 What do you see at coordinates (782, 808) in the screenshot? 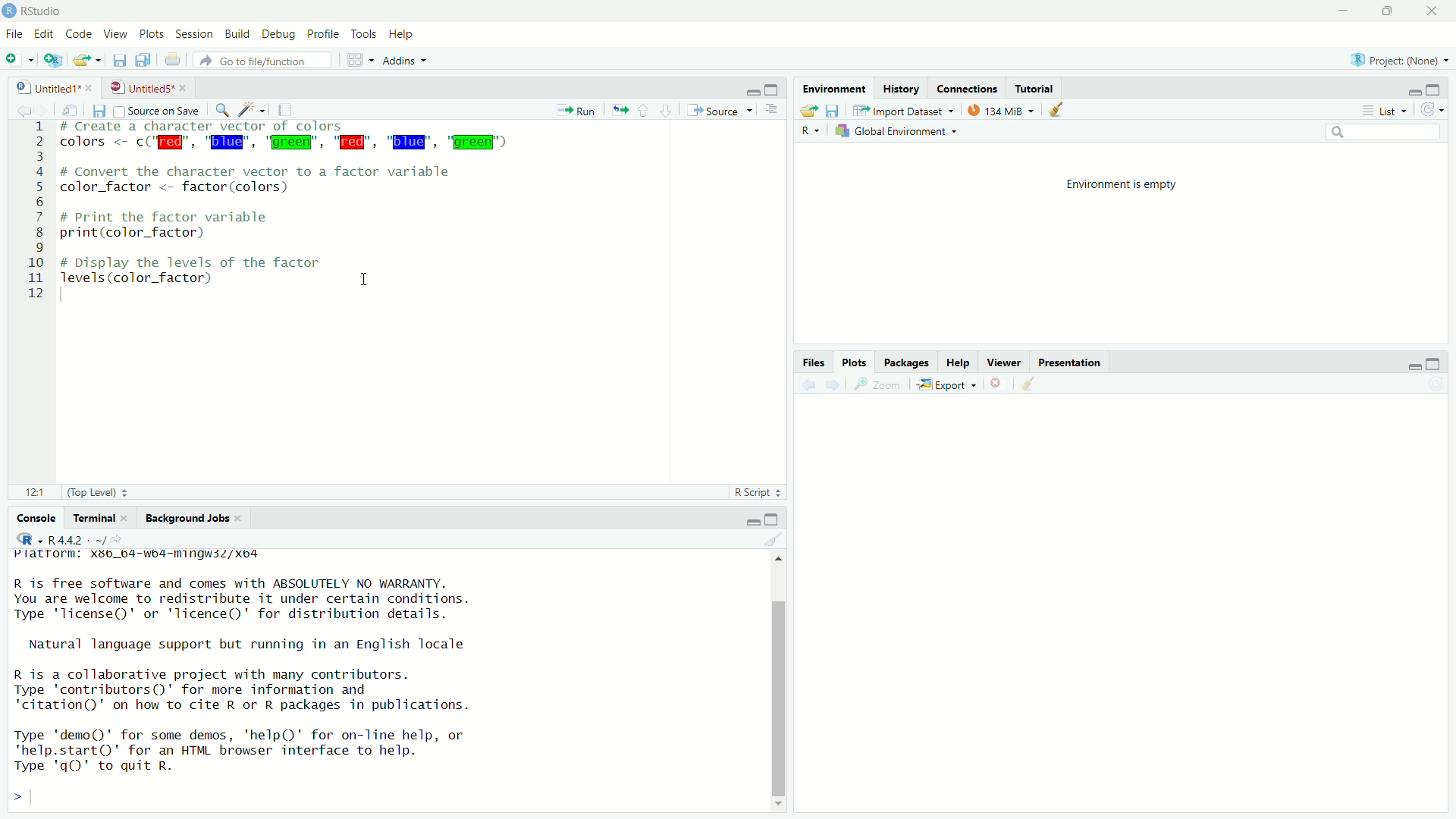
I see `move down` at bounding box center [782, 808].